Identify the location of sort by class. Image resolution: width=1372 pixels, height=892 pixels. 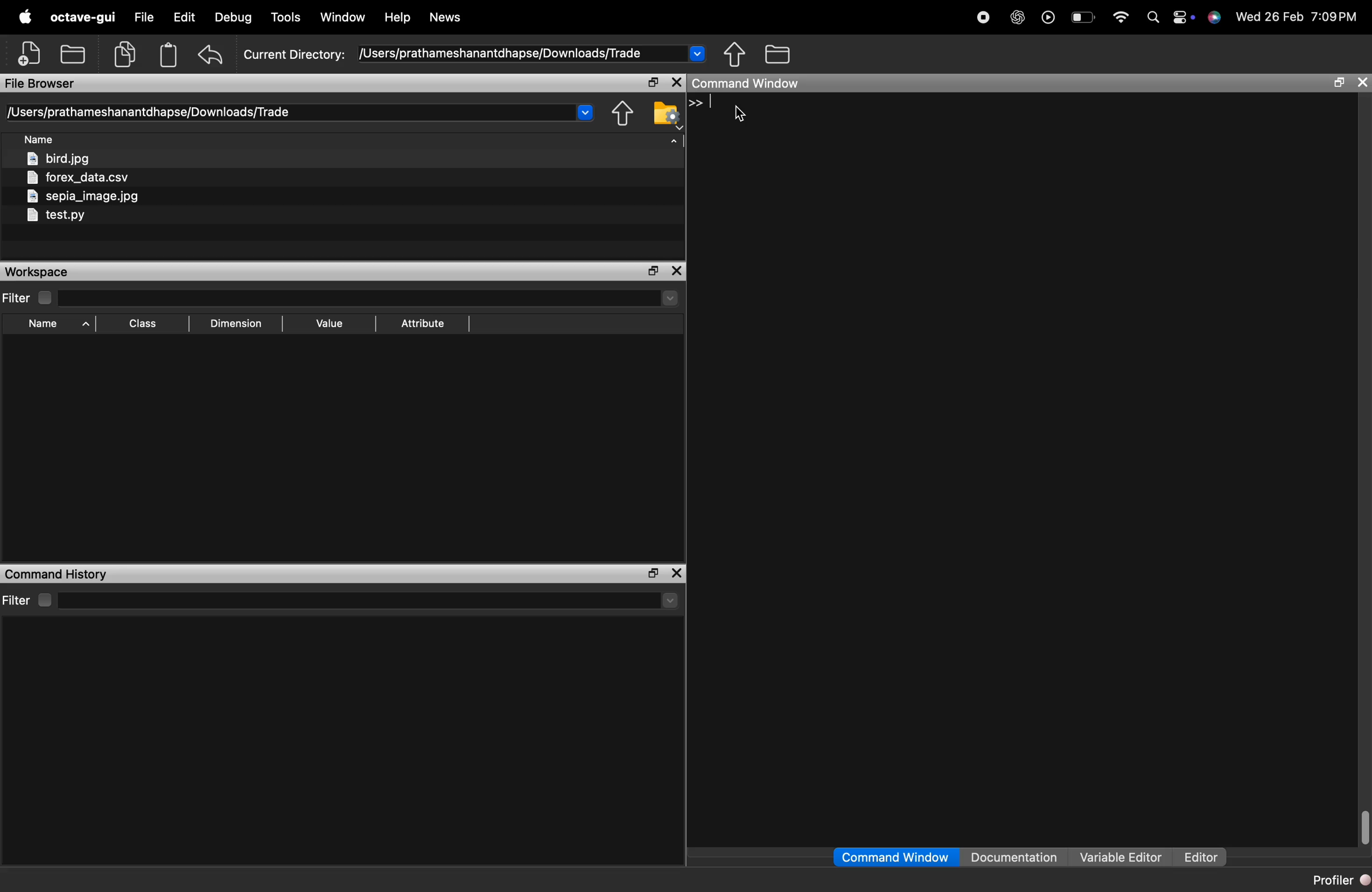
(146, 324).